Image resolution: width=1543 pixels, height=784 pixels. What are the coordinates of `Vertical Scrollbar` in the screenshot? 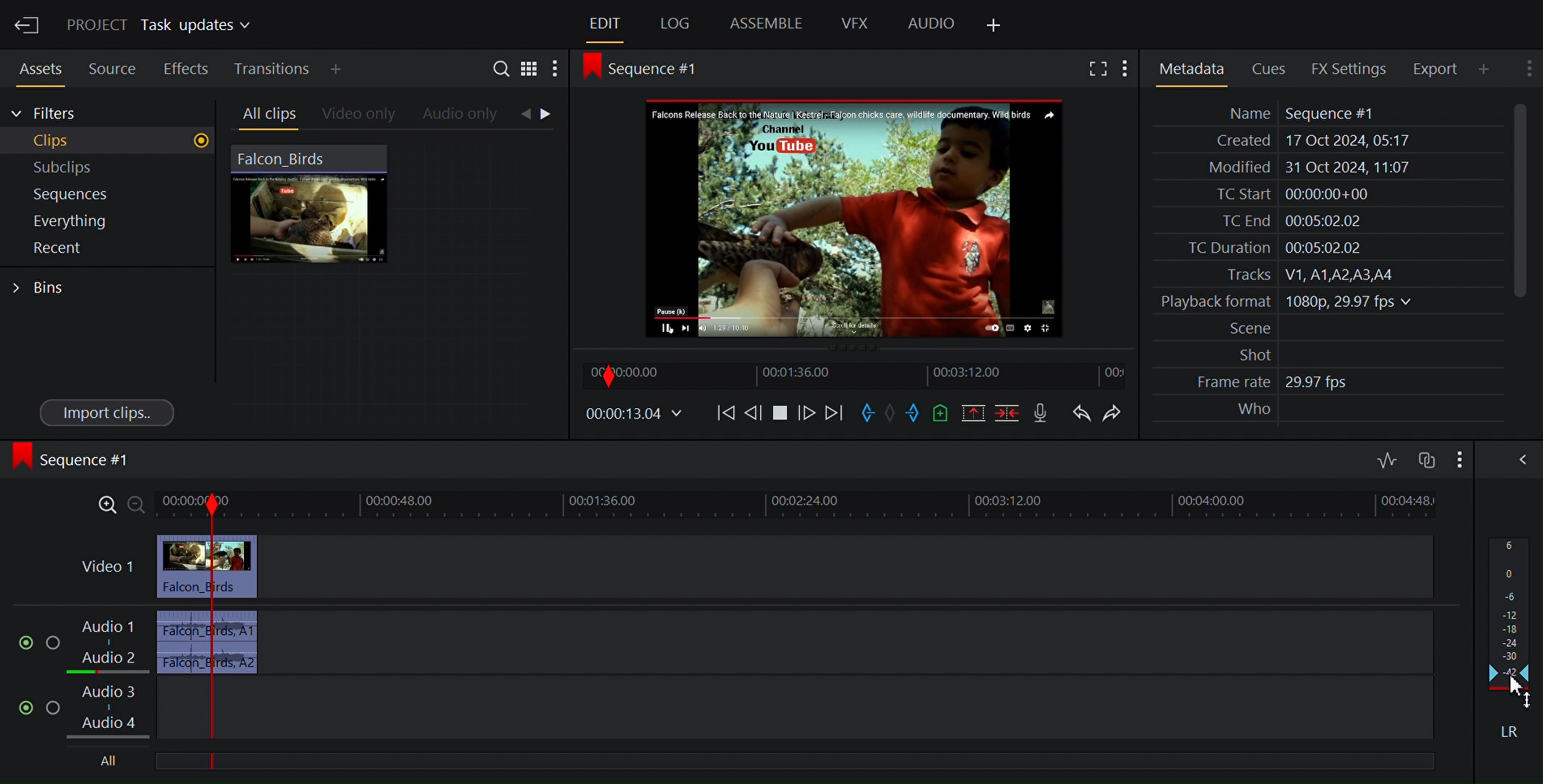 It's located at (1515, 201).